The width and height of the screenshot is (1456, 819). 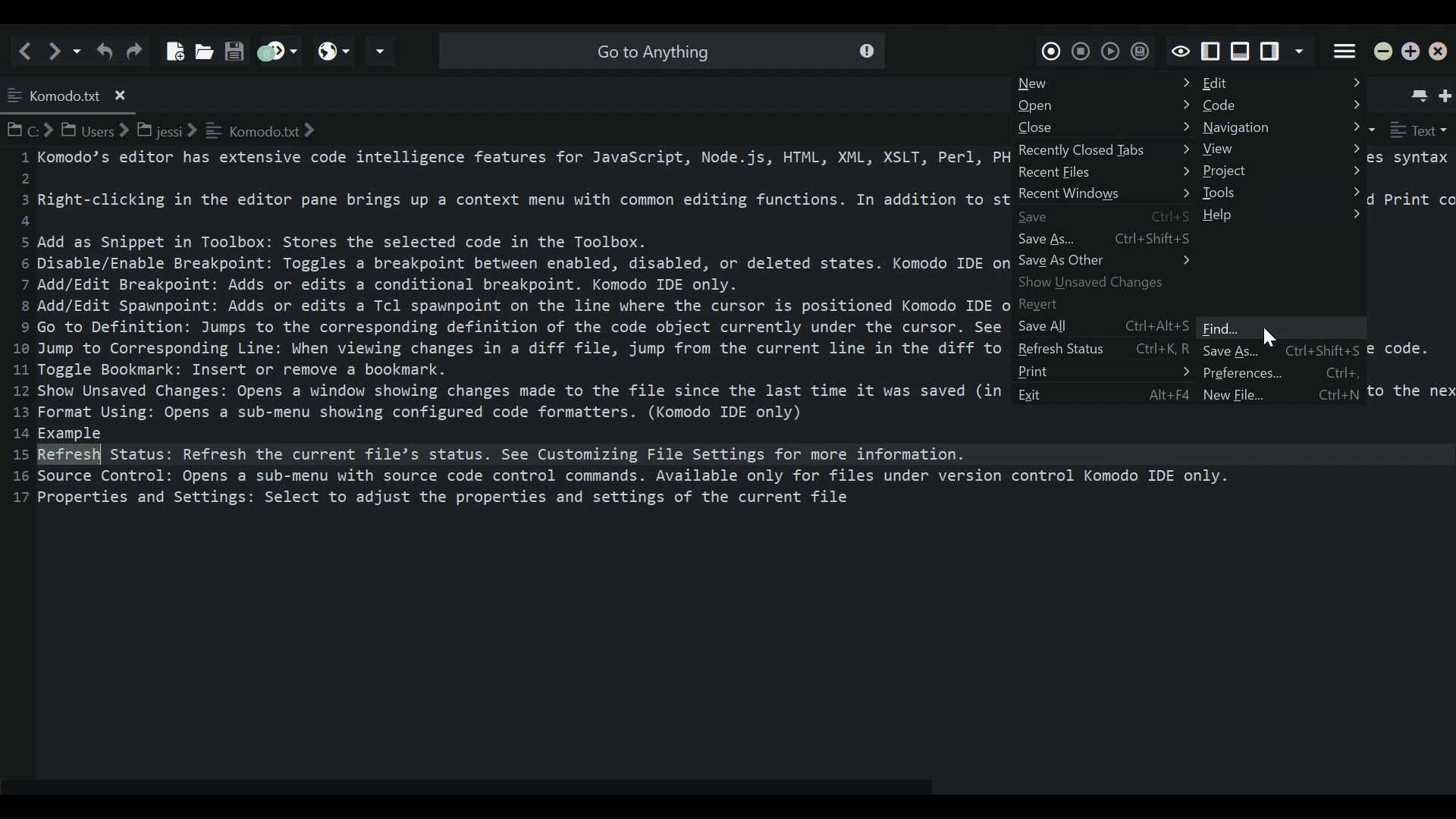 What do you see at coordinates (1100, 151) in the screenshot?
I see `Recently Closed Tabs` at bounding box center [1100, 151].